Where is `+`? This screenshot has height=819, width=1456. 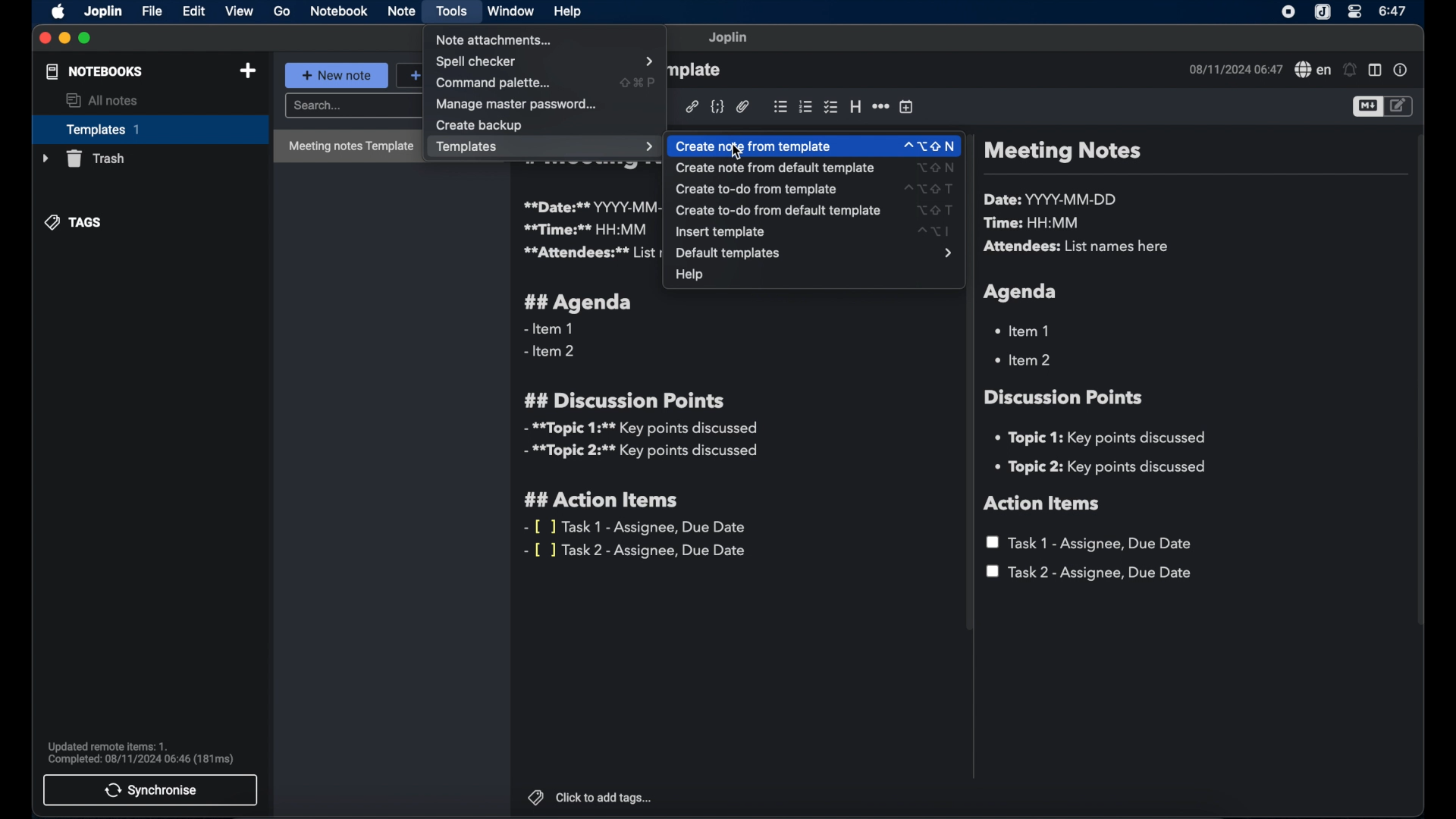
+ is located at coordinates (409, 74).